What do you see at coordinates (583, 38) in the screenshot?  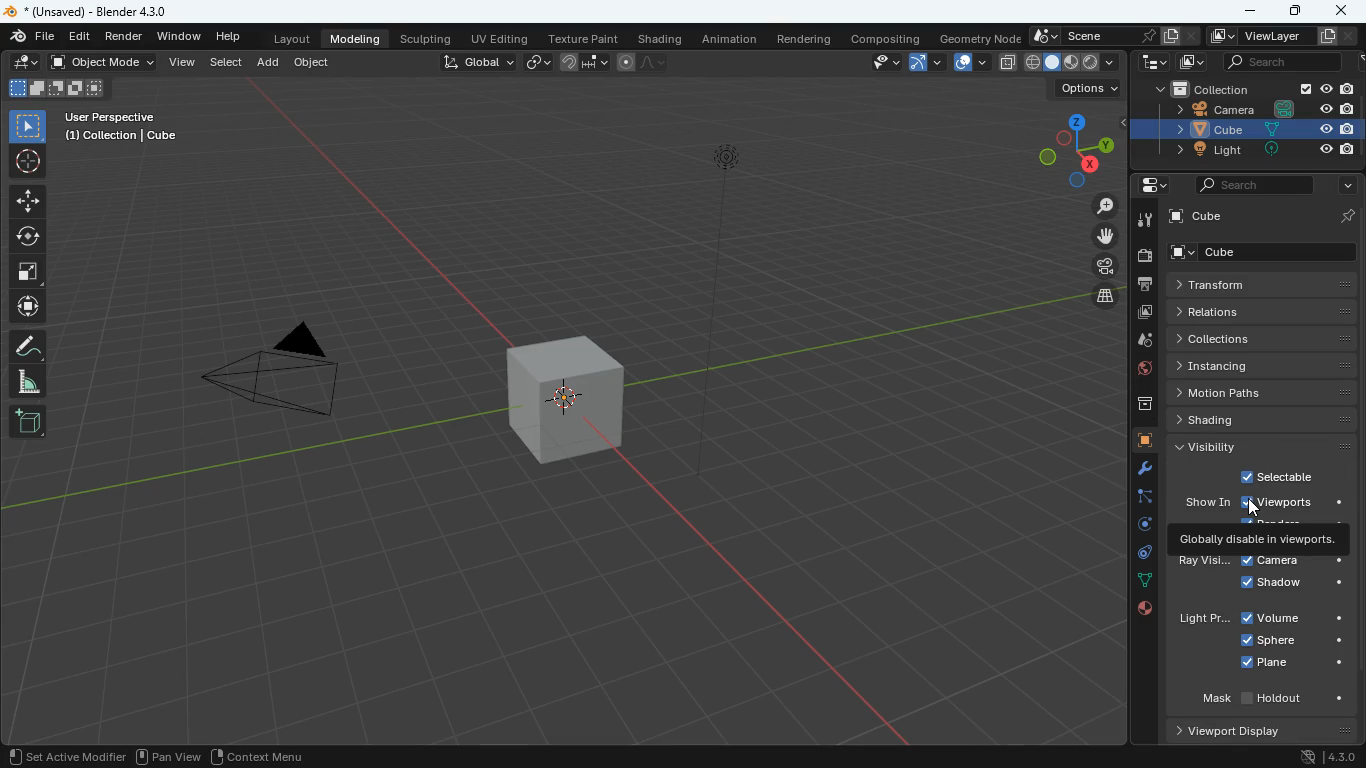 I see `texture paint` at bounding box center [583, 38].